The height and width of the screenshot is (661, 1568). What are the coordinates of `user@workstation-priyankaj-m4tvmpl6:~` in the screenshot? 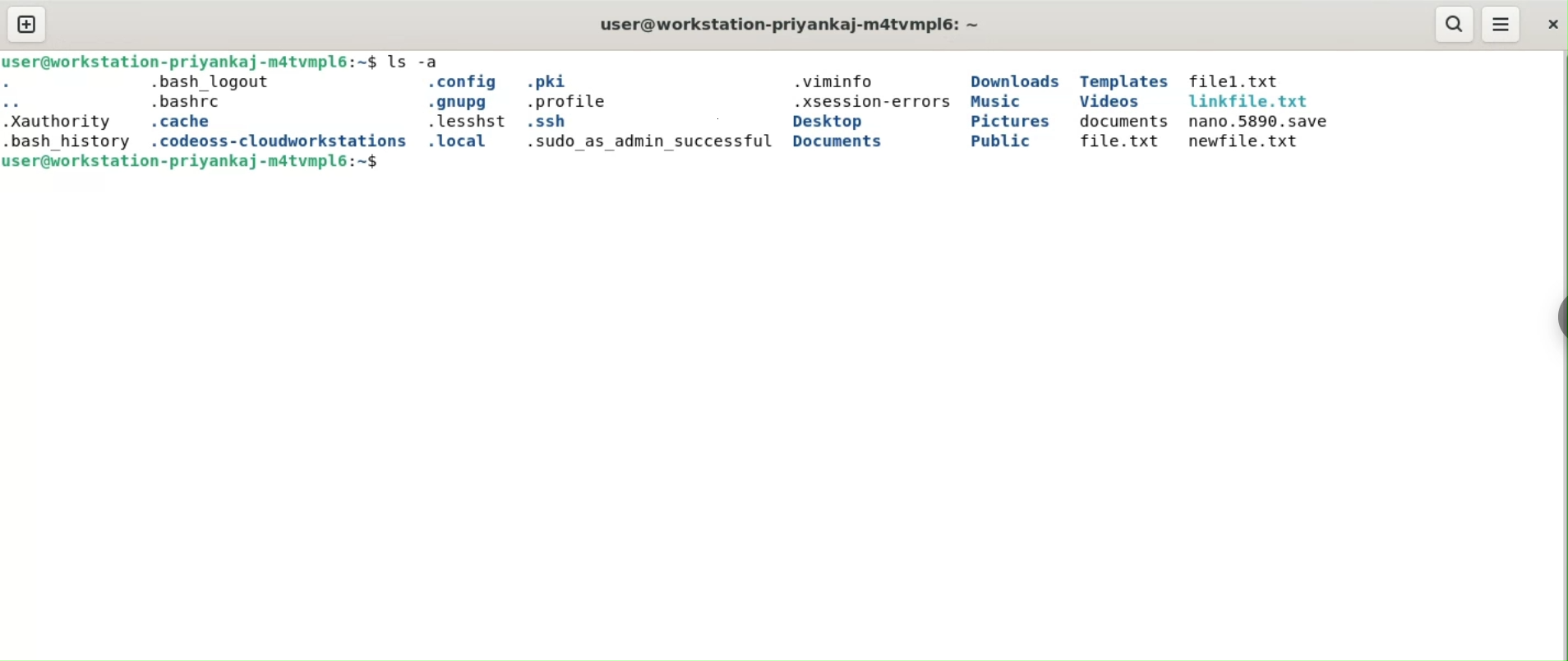 It's located at (791, 24).